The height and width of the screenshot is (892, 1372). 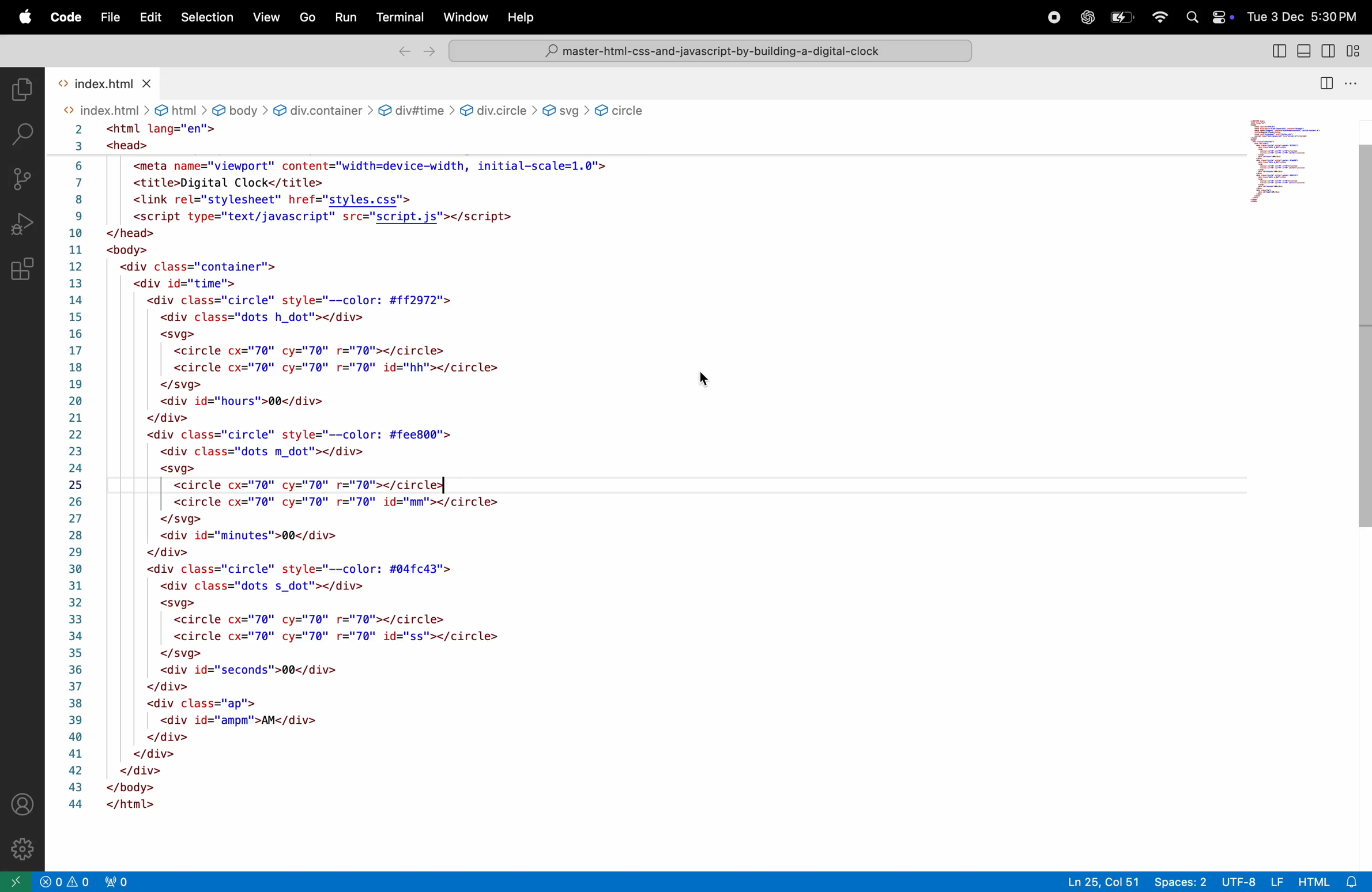 What do you see at coordinates (114, 881) in the screenshot?
I see `no active ports` at bounding box center [114, 881].